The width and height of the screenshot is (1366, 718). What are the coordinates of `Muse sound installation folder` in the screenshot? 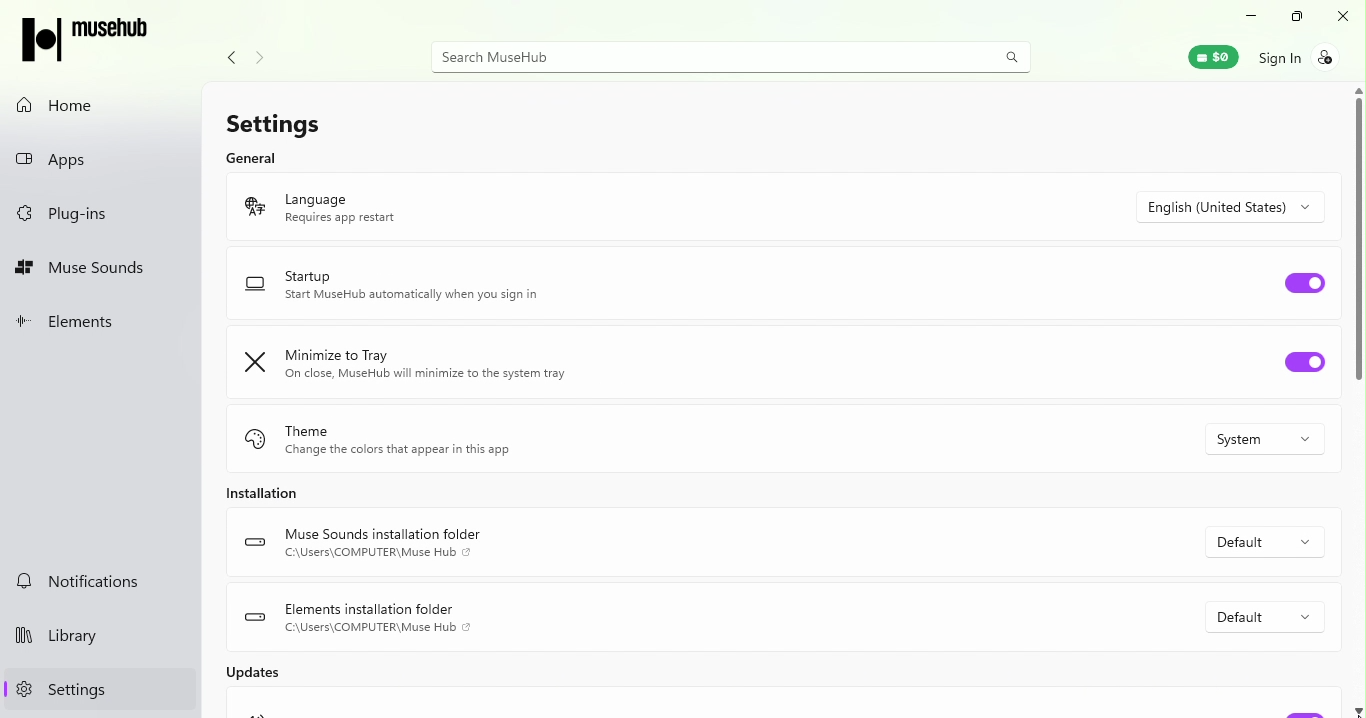 It's located at (374, 542).